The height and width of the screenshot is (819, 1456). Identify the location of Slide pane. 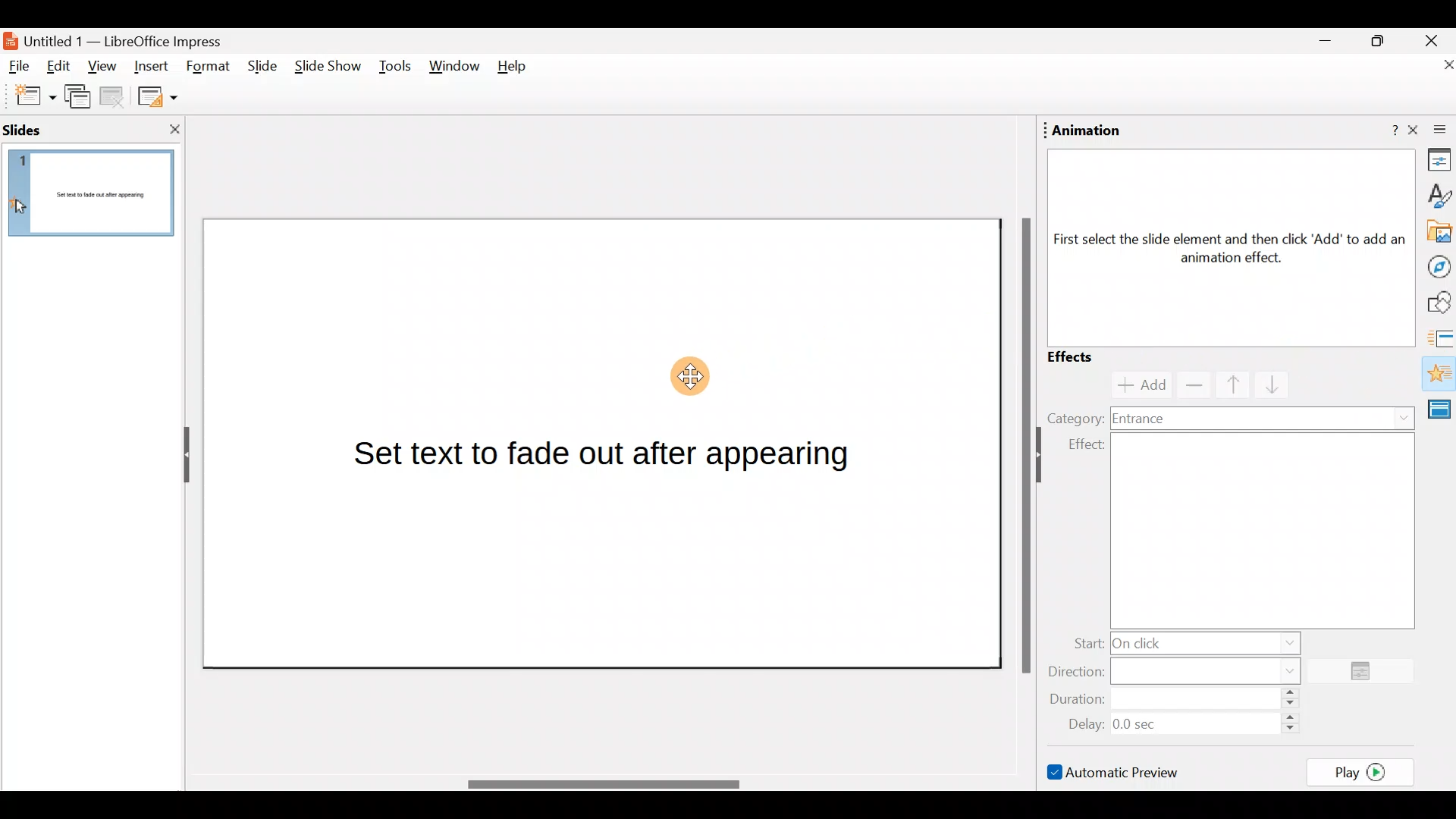
(95, 202).